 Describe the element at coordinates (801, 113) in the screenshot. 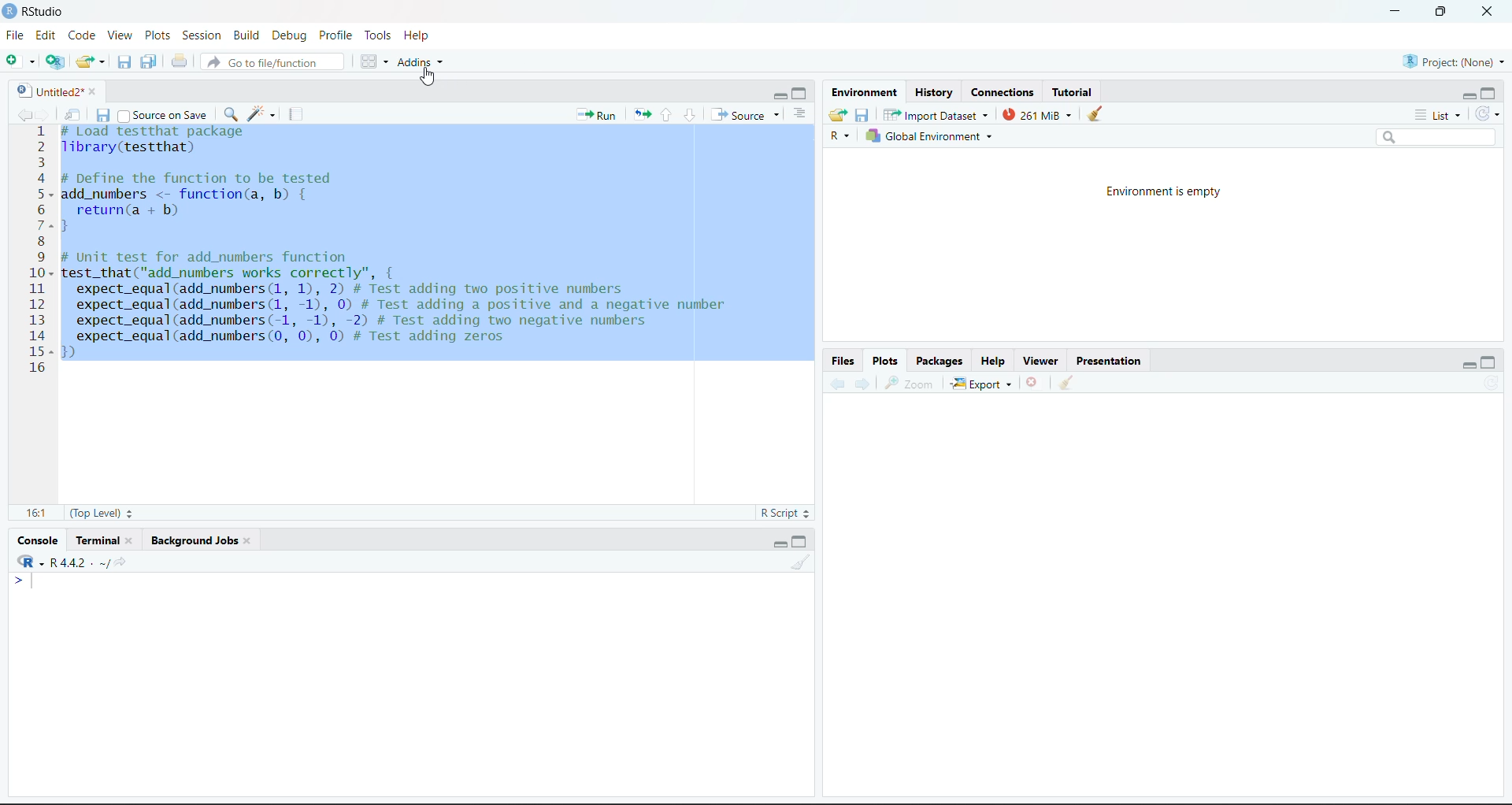

I see `Show document outline` at that location.